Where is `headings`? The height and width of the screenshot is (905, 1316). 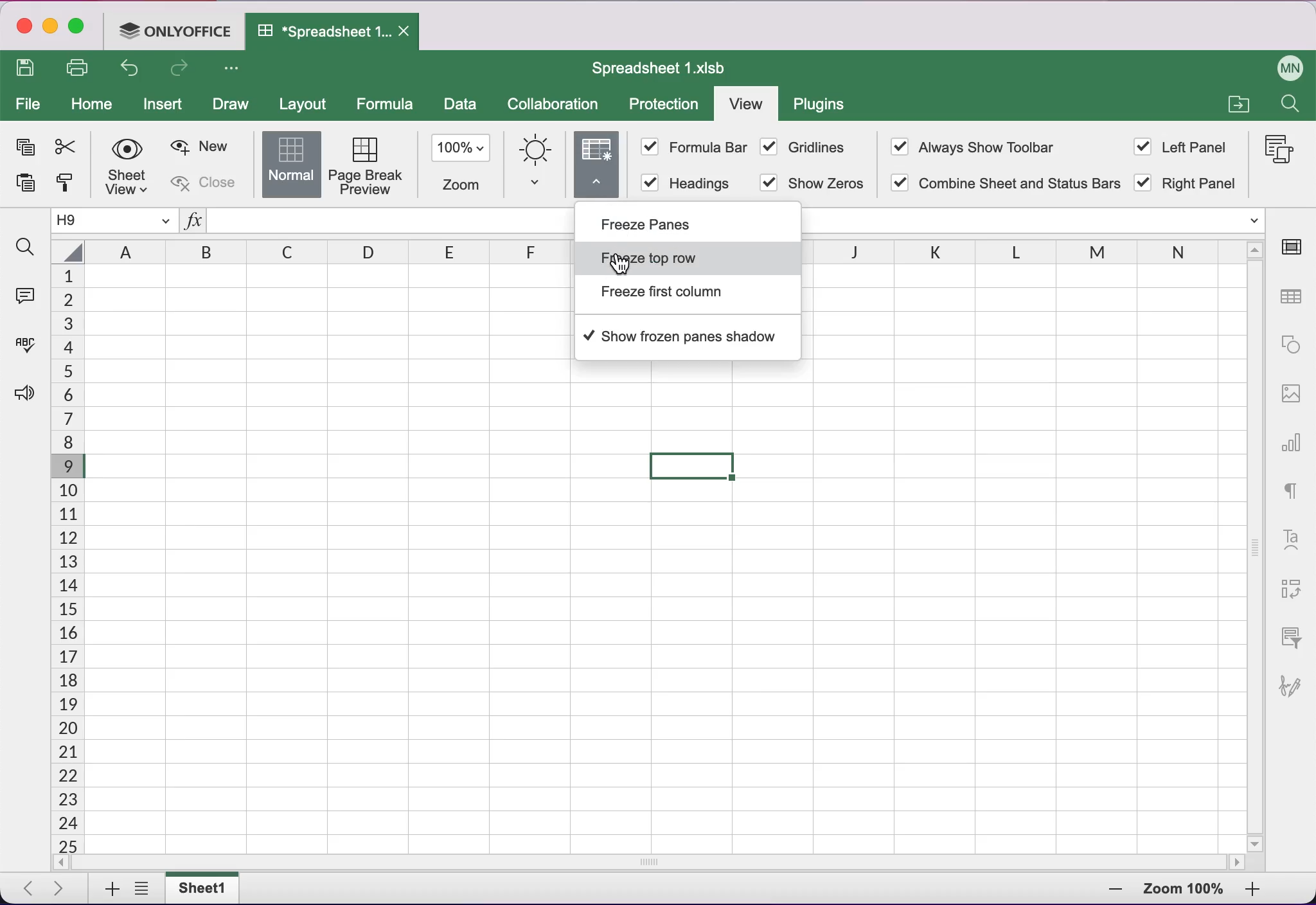
headings is located at coordinates (684, 183).